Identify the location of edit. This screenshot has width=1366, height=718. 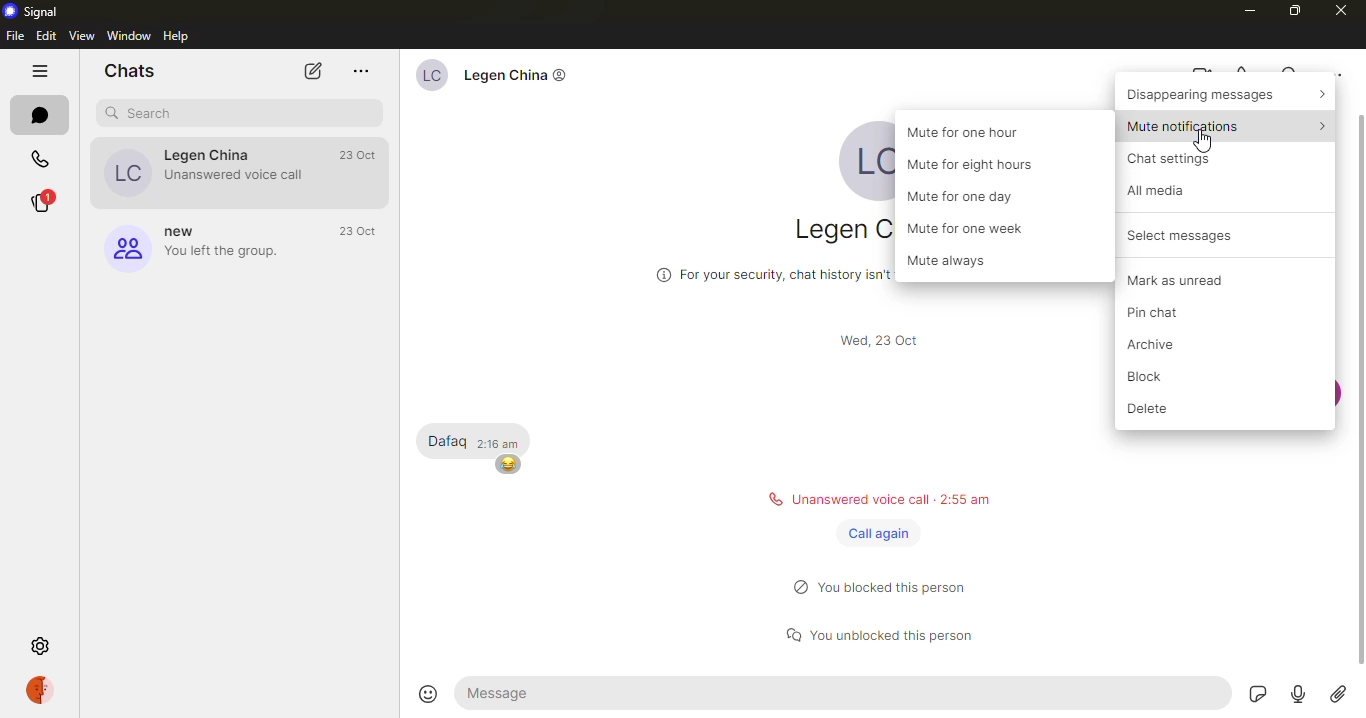
(46, 33).